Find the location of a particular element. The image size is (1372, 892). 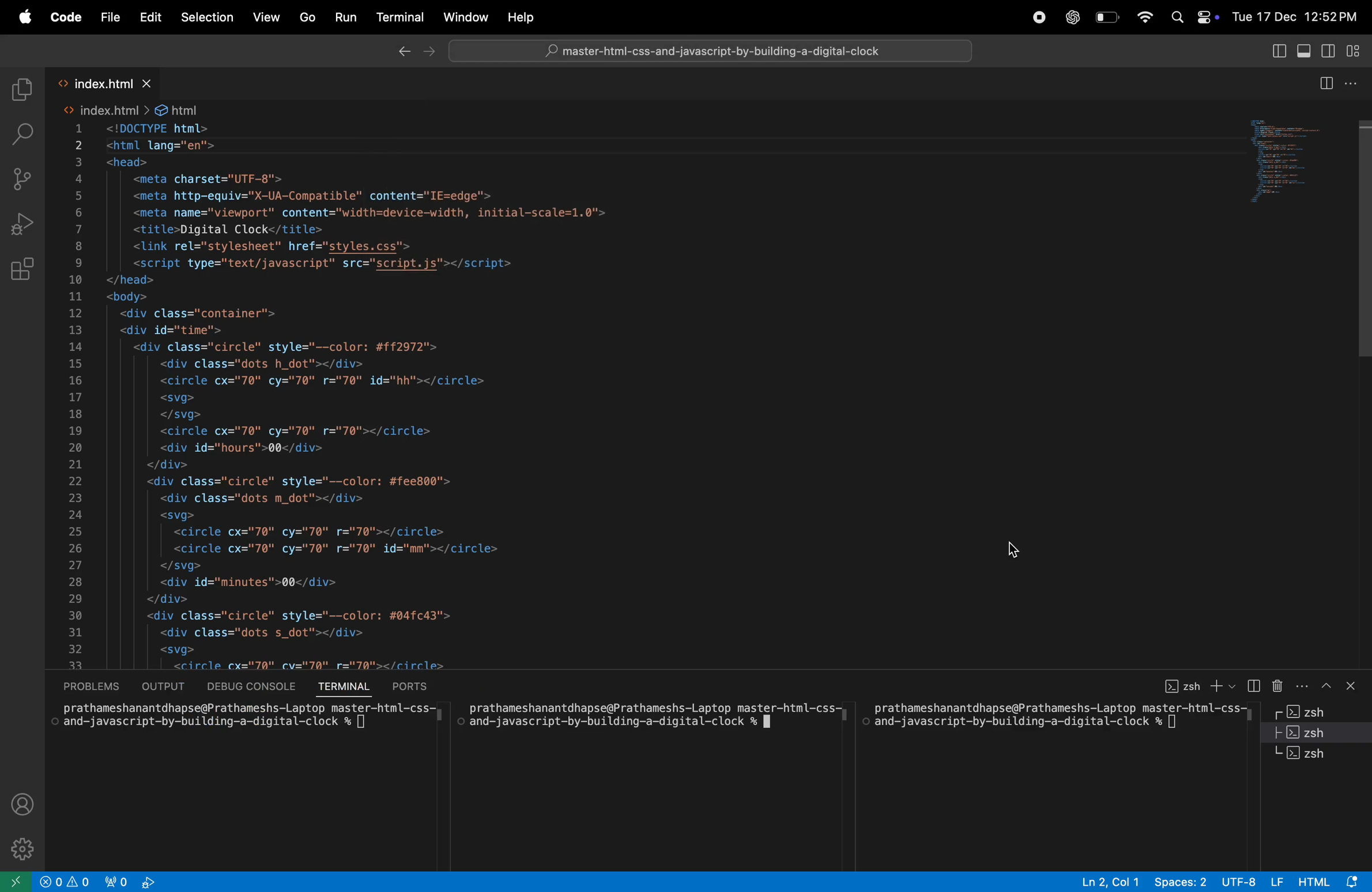

© master-html-css-and-javascript-by-building-a-digital-clock is located at coordinates (710, 51).